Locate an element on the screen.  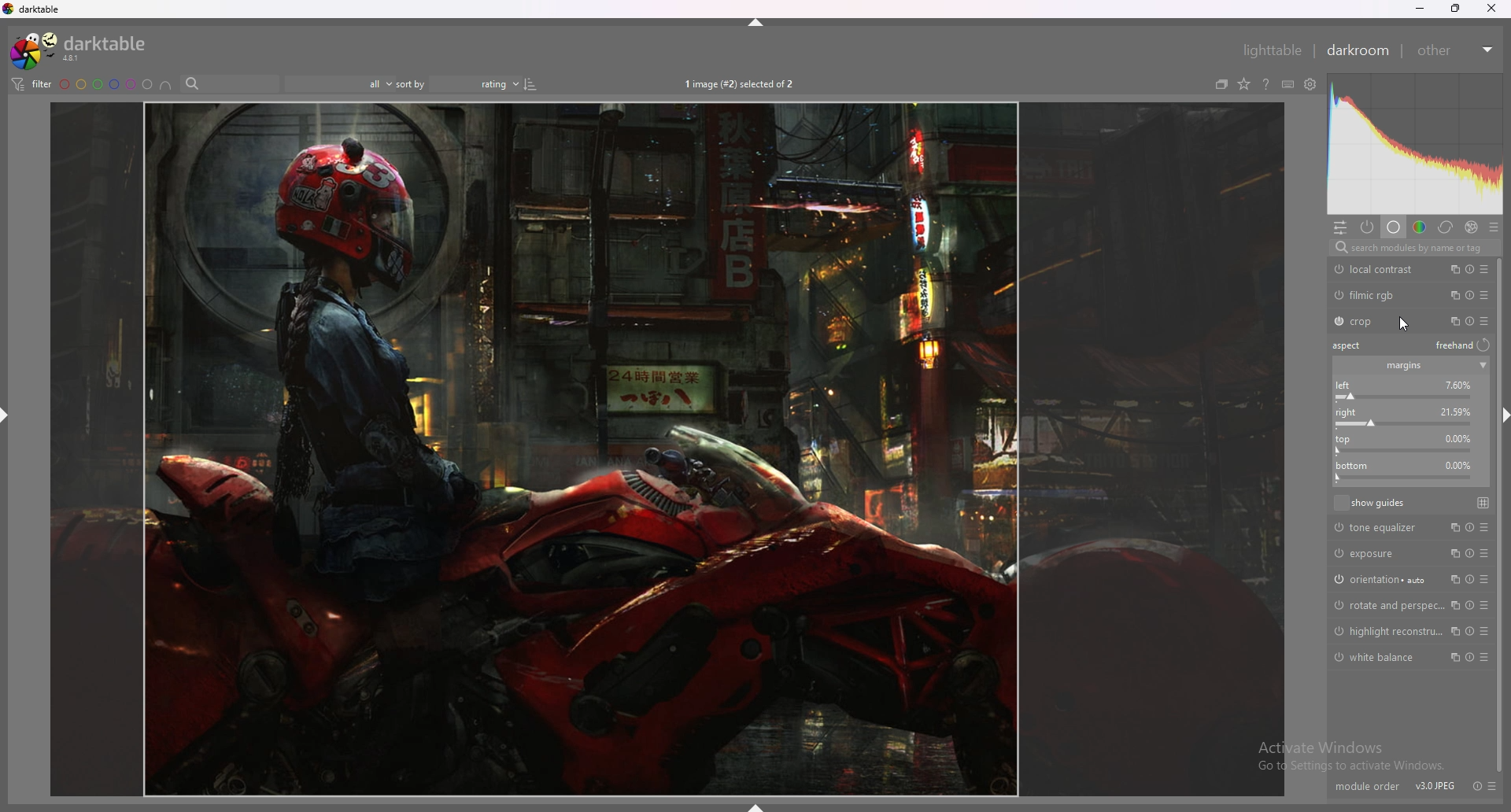
bottom is located at coordinates (1409, 472).